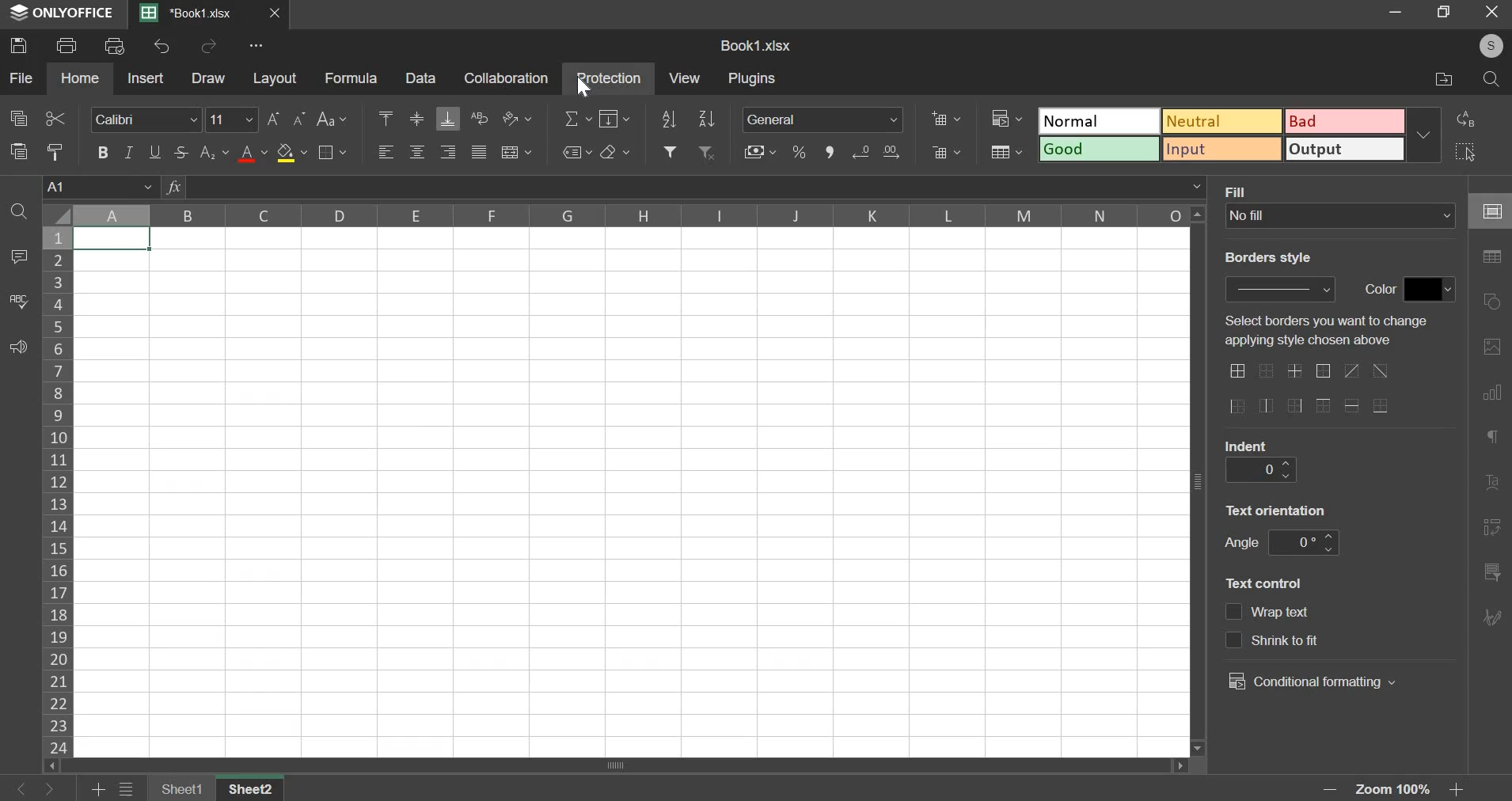  I want to click on right side bar, so click(1492, 302).